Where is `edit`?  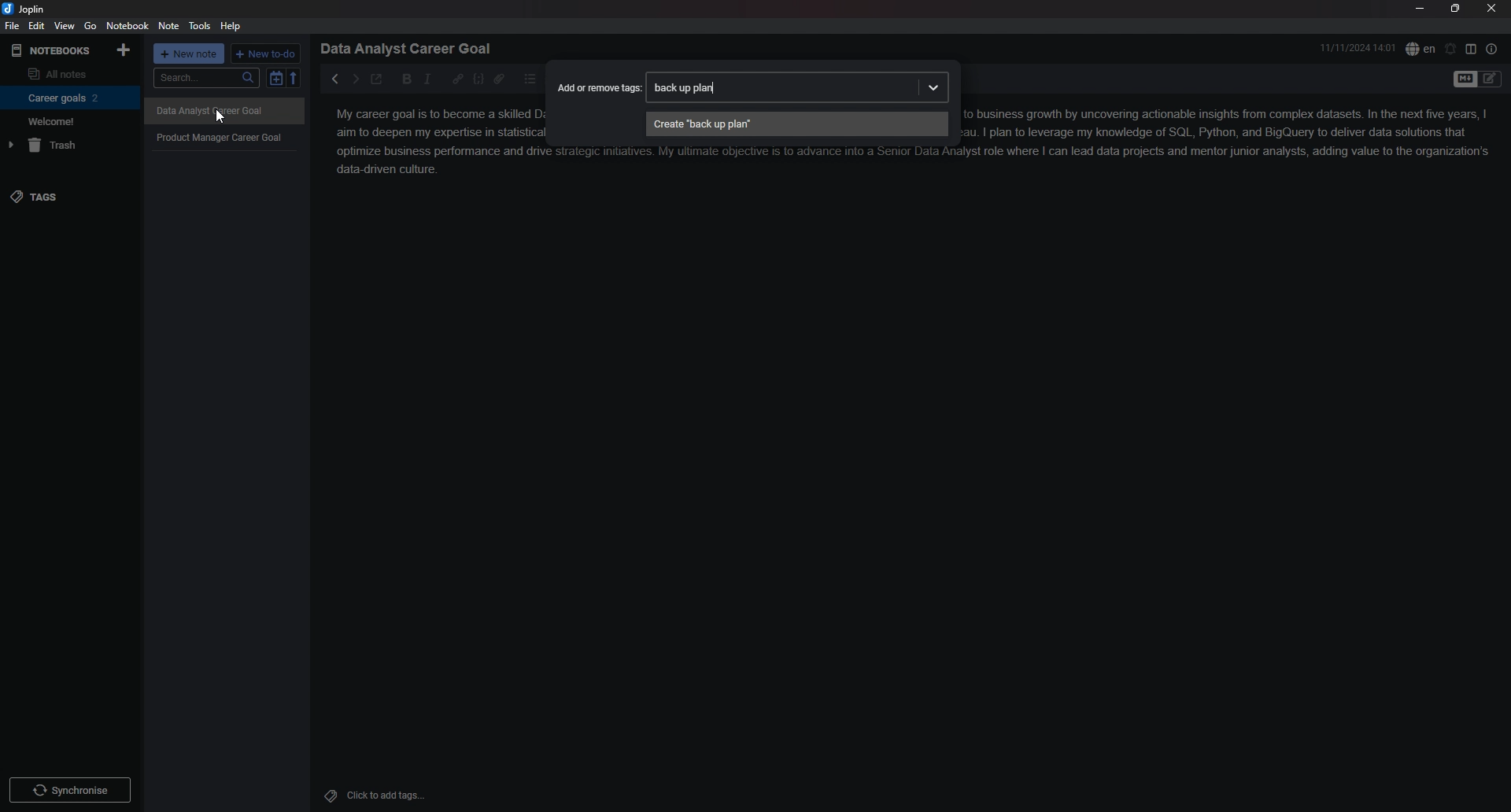 edit is located at coordinates (38, 25).